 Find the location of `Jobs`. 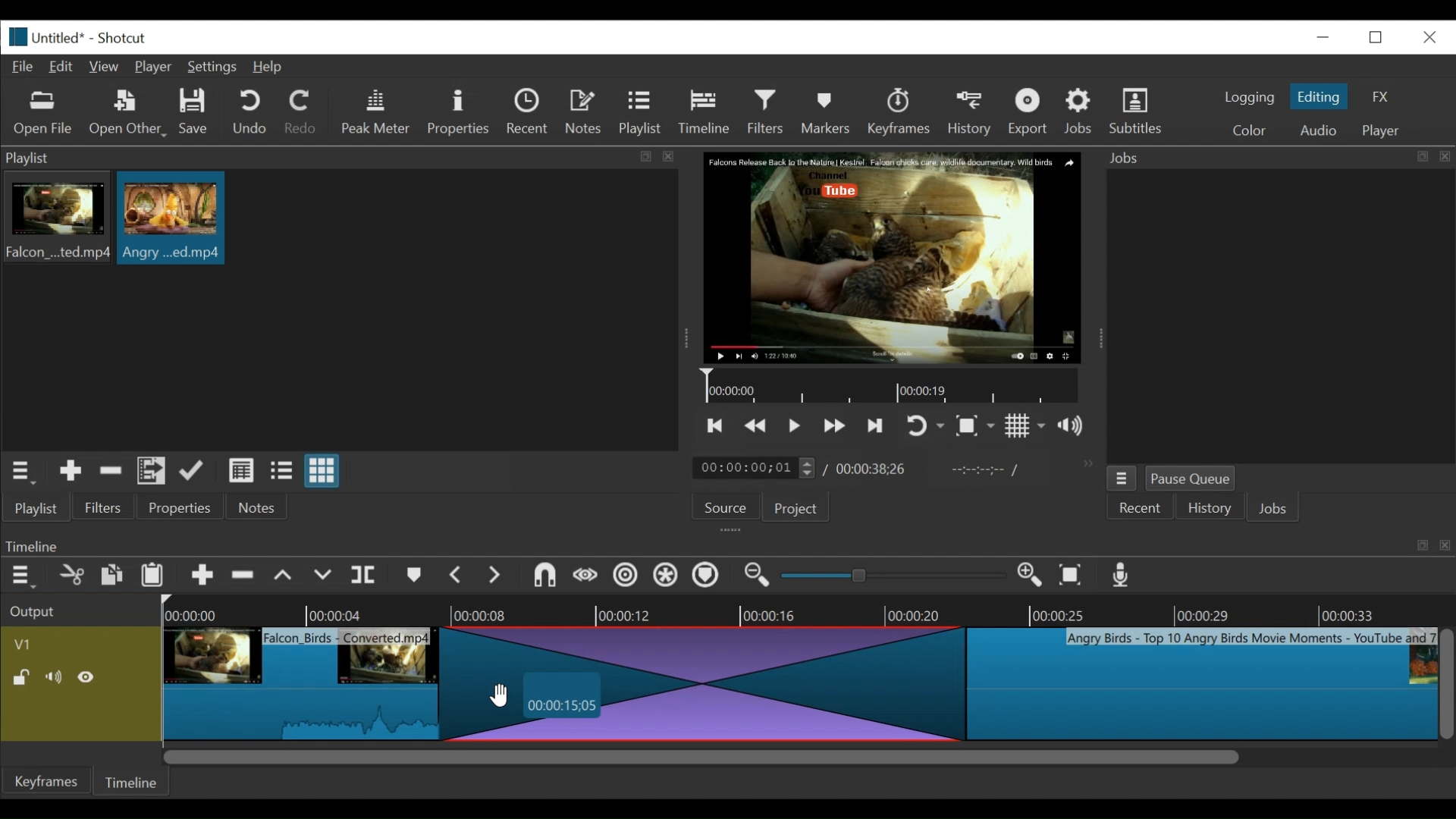

Jobs is located at coordinates (1081, 111).